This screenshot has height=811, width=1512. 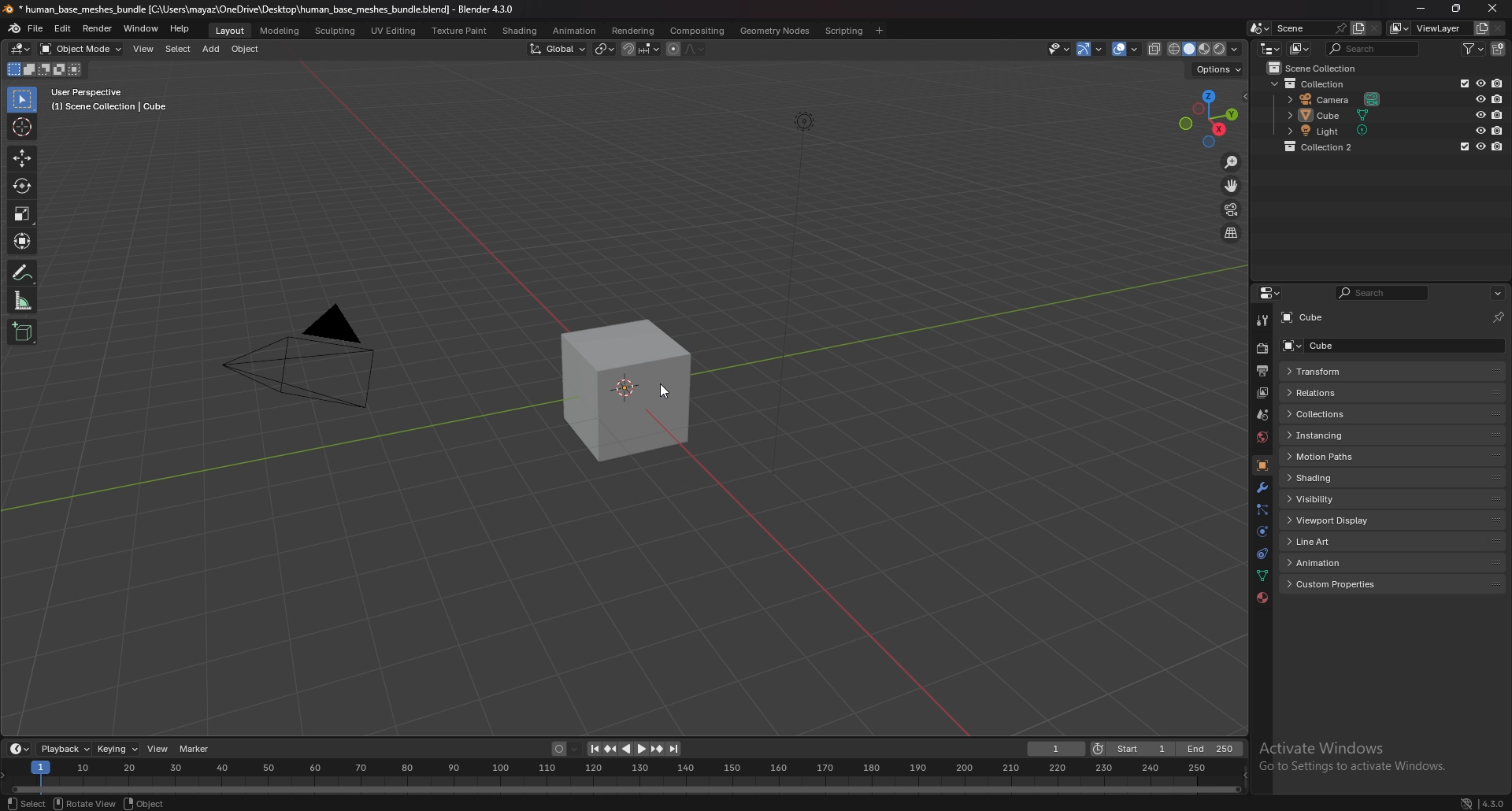 What do you see at coordinates (1272, 293) in the screenshot?
I see `editor type` at bounding box center [1272, 293].